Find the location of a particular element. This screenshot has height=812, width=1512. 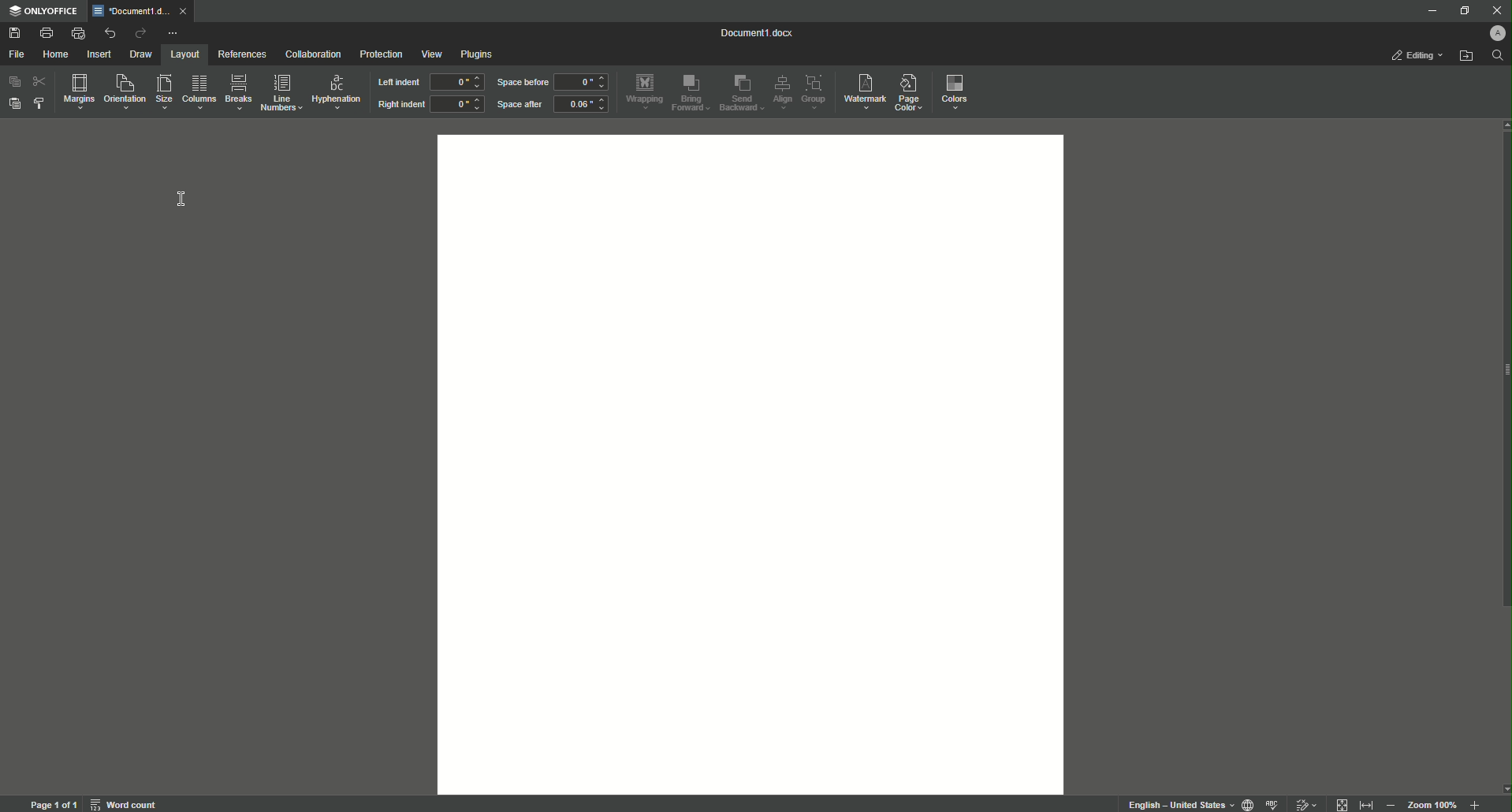

Draw is located at coordinates (141, 53).